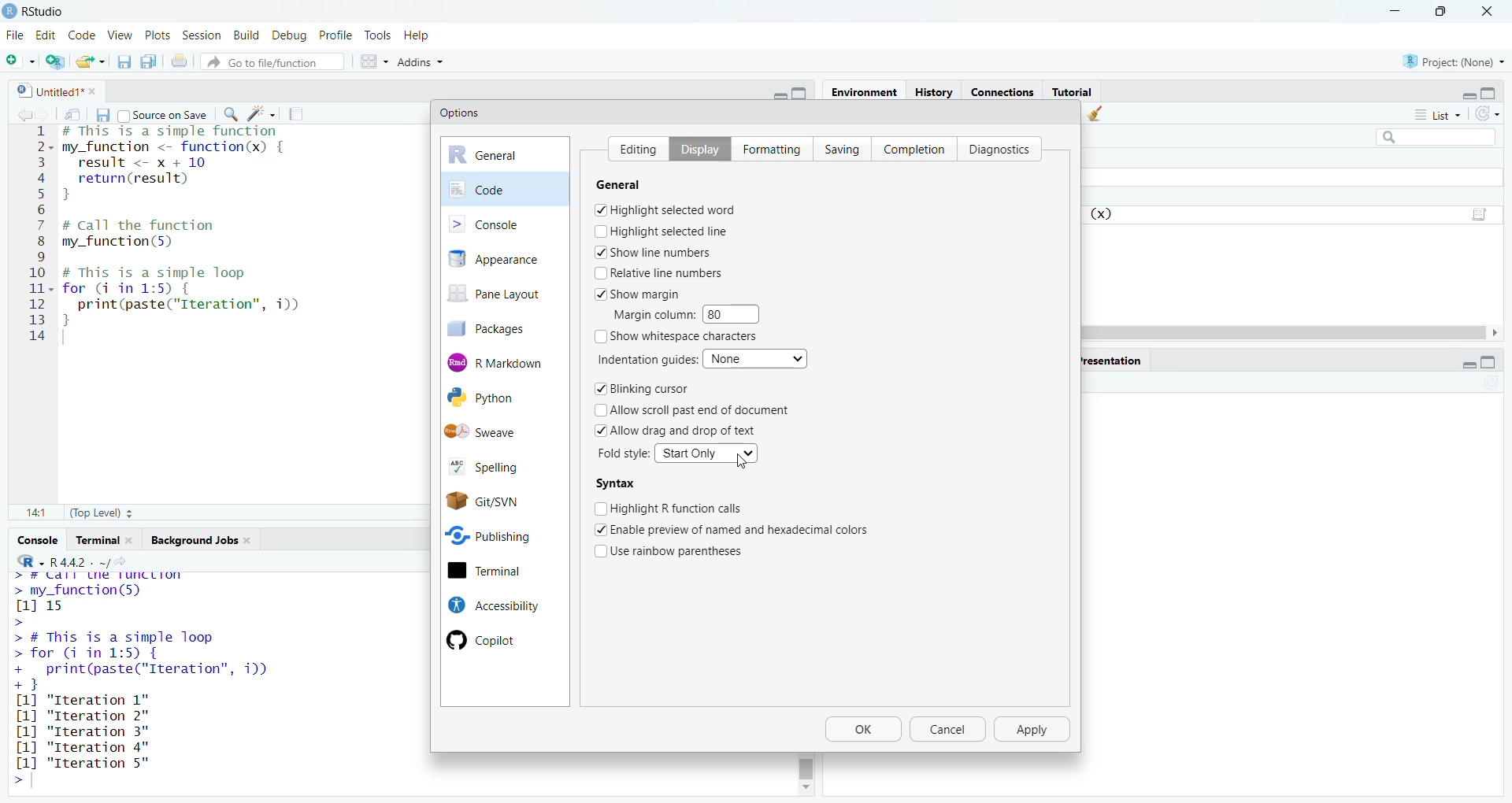  What do you see at coordinates (758, 357) in the screenshot?
I see `none` at bounding box center [758, 357].